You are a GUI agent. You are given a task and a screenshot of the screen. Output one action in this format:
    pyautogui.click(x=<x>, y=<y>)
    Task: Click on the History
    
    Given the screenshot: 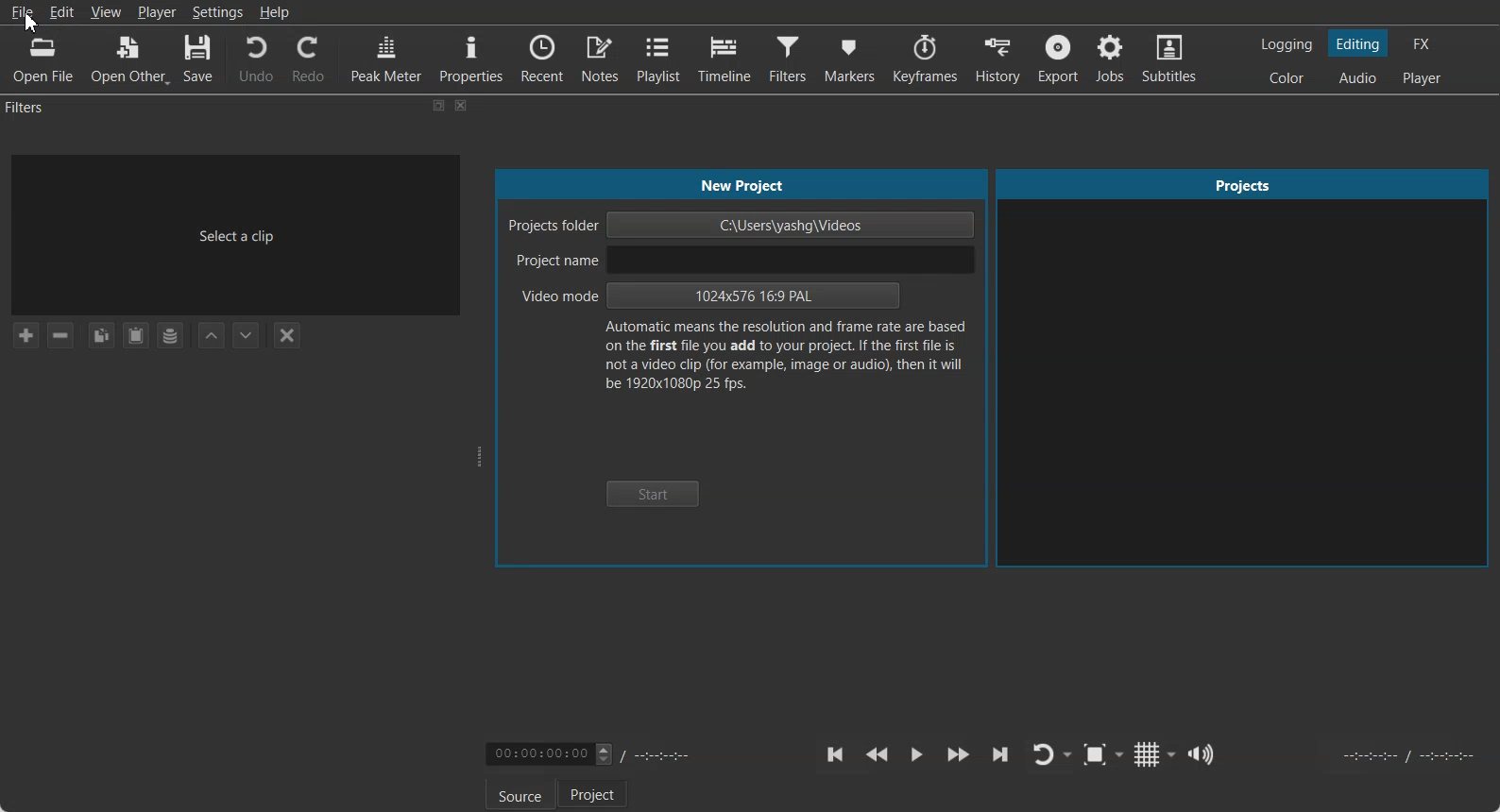 What is the action you would take?
    pyautogui.click(x=997, y=59)
    